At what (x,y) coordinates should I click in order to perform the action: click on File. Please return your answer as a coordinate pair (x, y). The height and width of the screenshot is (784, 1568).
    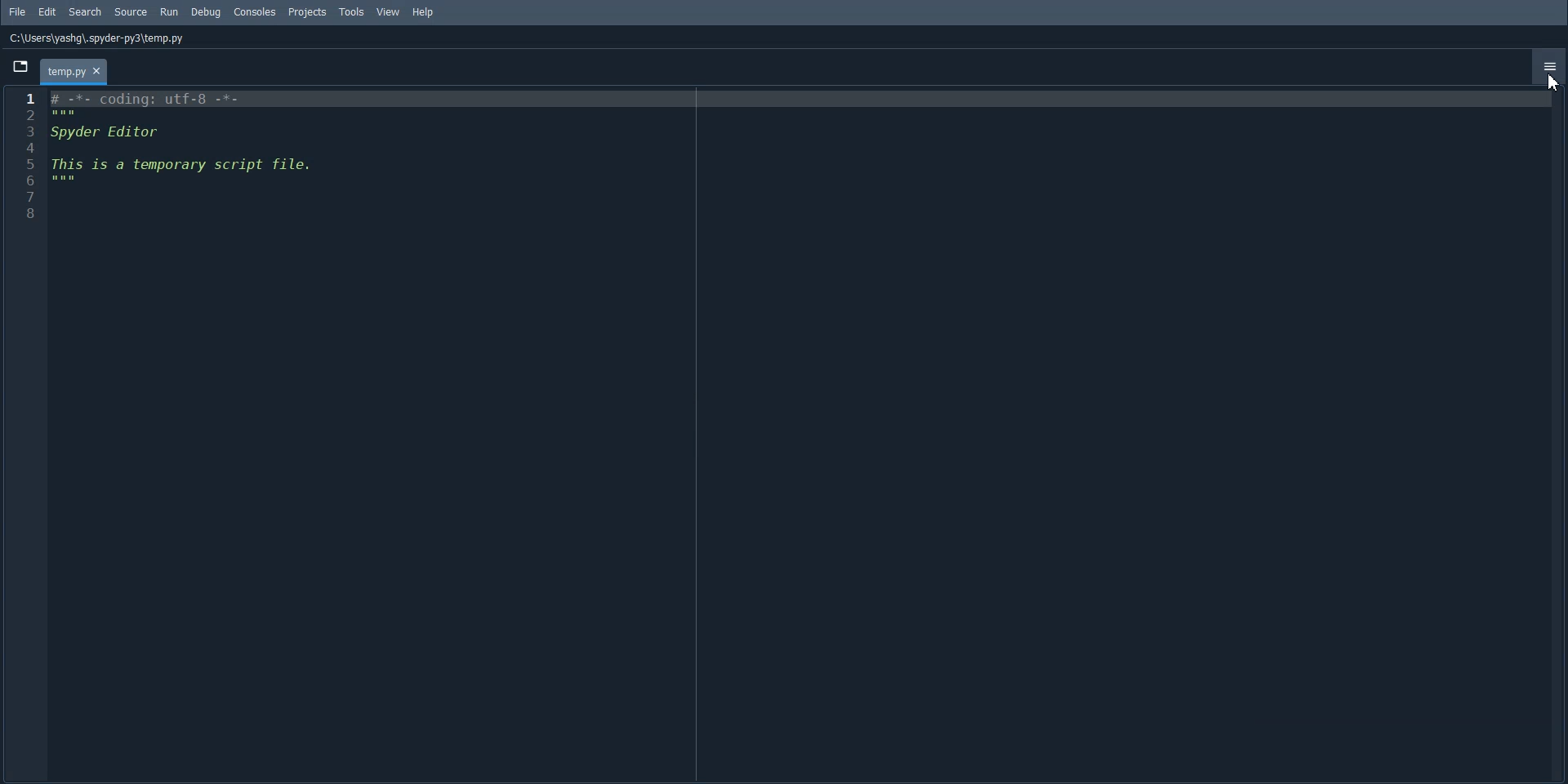
    Looking at the image, I should click on (18, 11).